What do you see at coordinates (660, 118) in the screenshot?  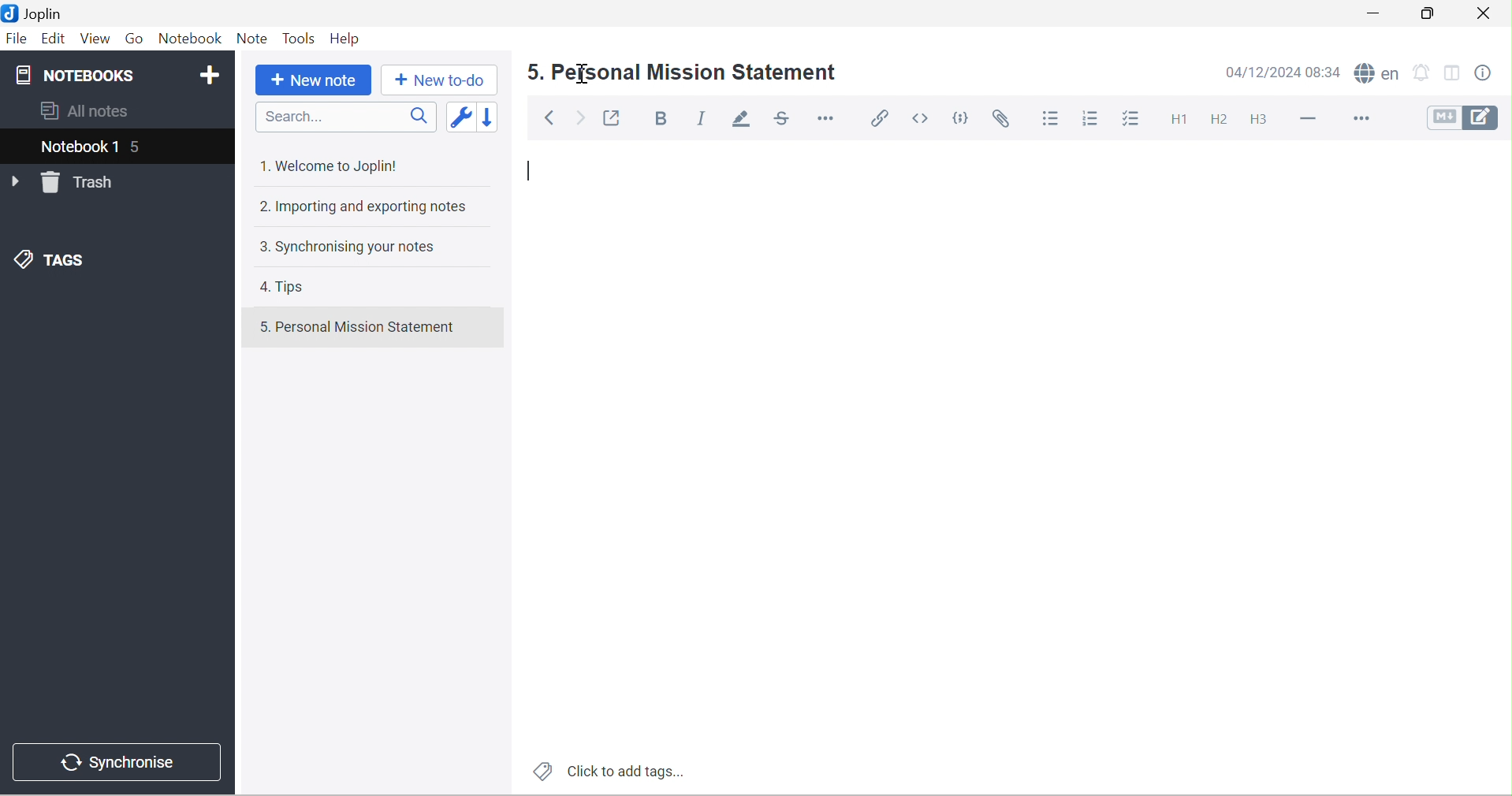 I see `Bold` at bounding box center [660, 118].